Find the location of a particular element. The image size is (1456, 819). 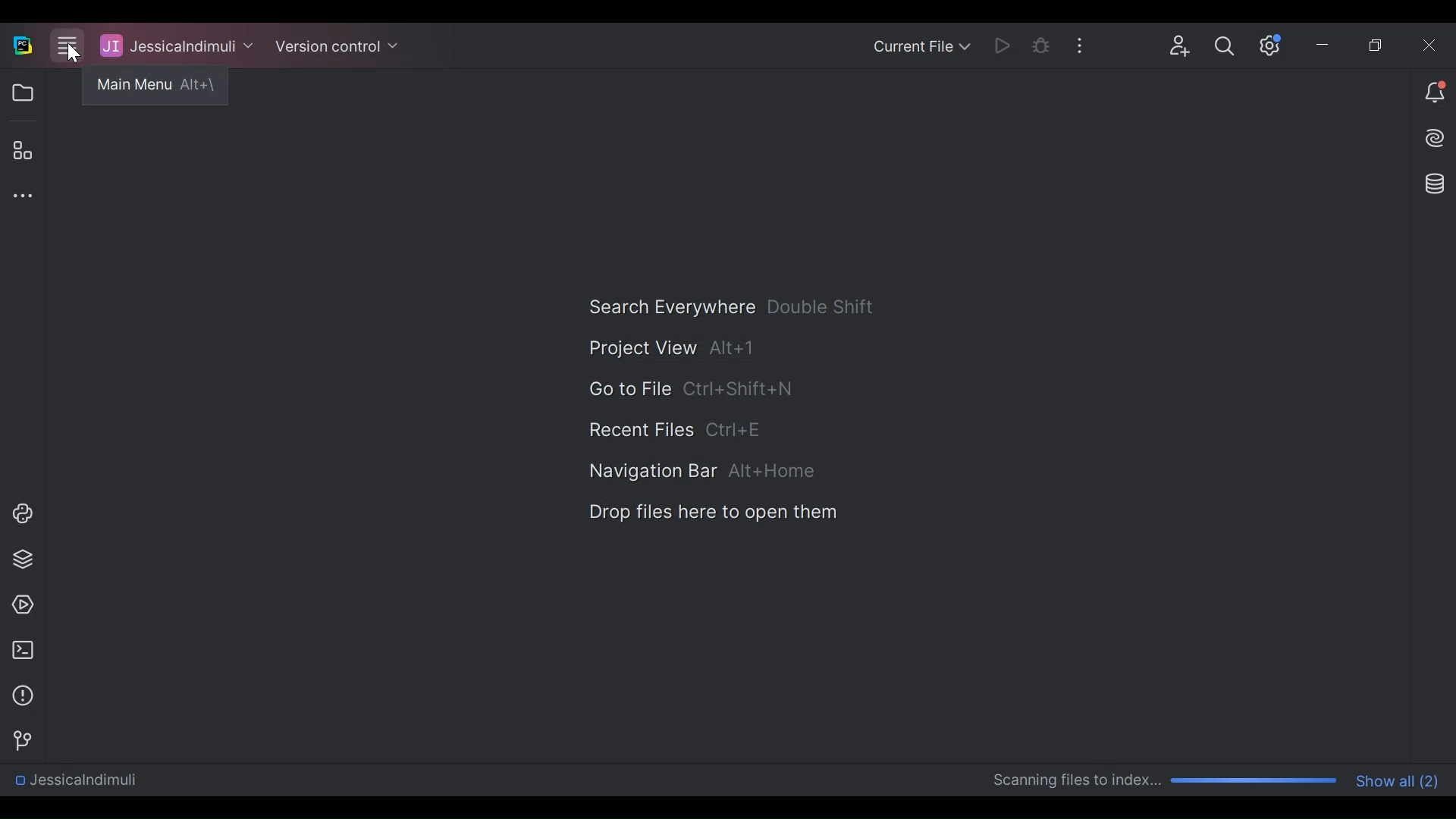

Settings is located at coordinates (1224, 45).